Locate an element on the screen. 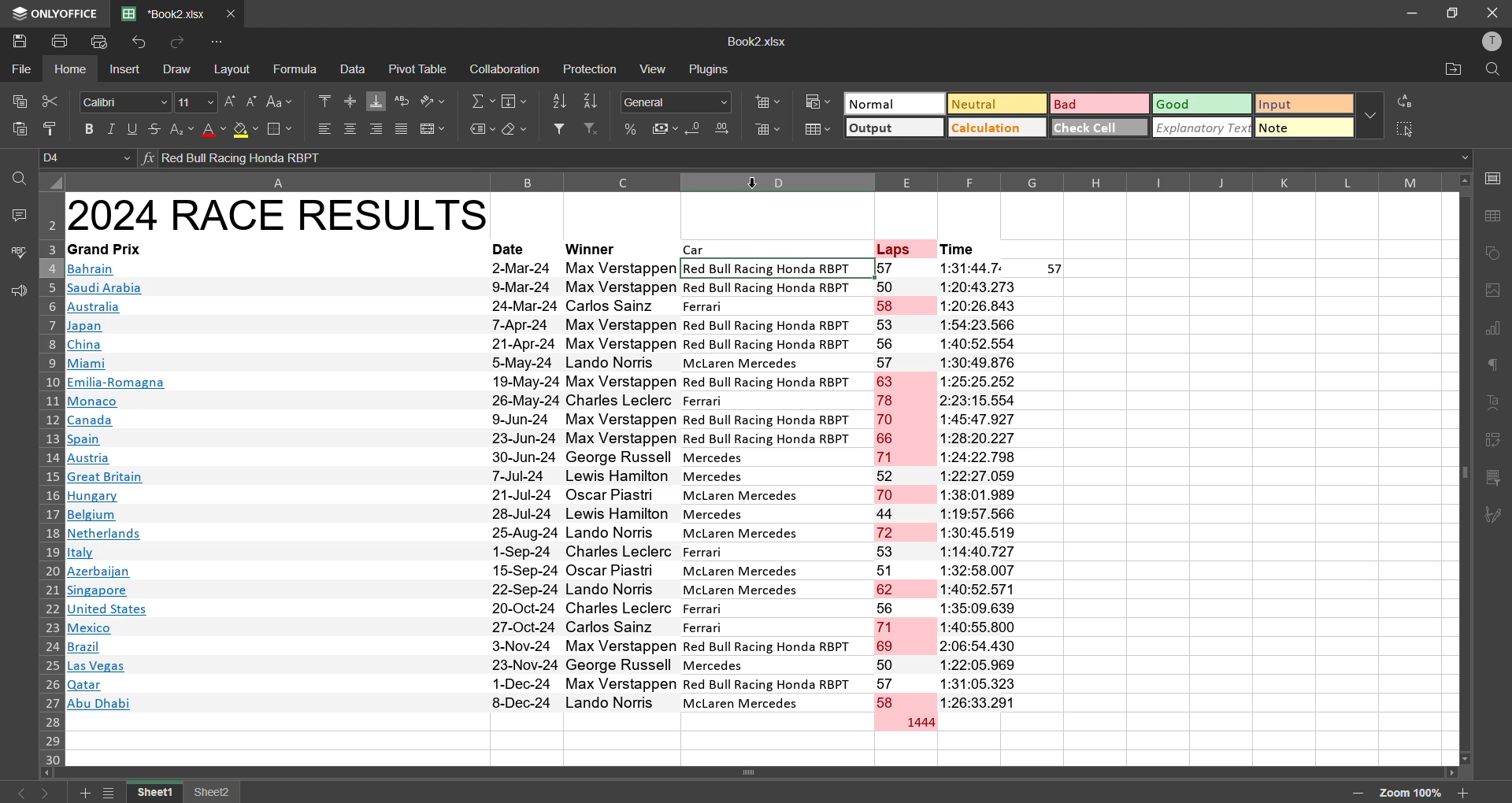 The image size is (1512, 803). strikethrough is located at coordinates (153, 128).